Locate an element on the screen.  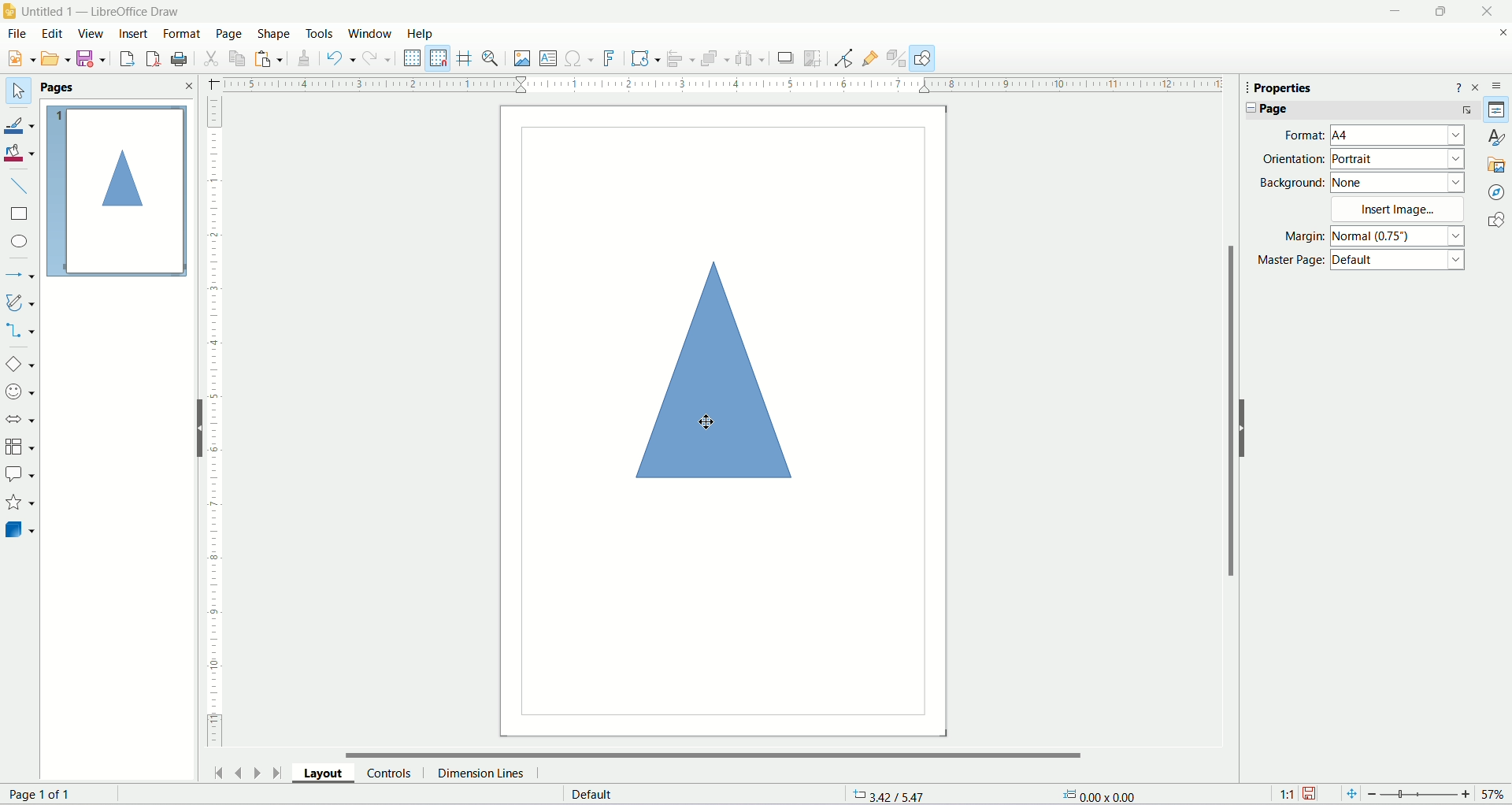
Select is located at coordinates (18, 90).